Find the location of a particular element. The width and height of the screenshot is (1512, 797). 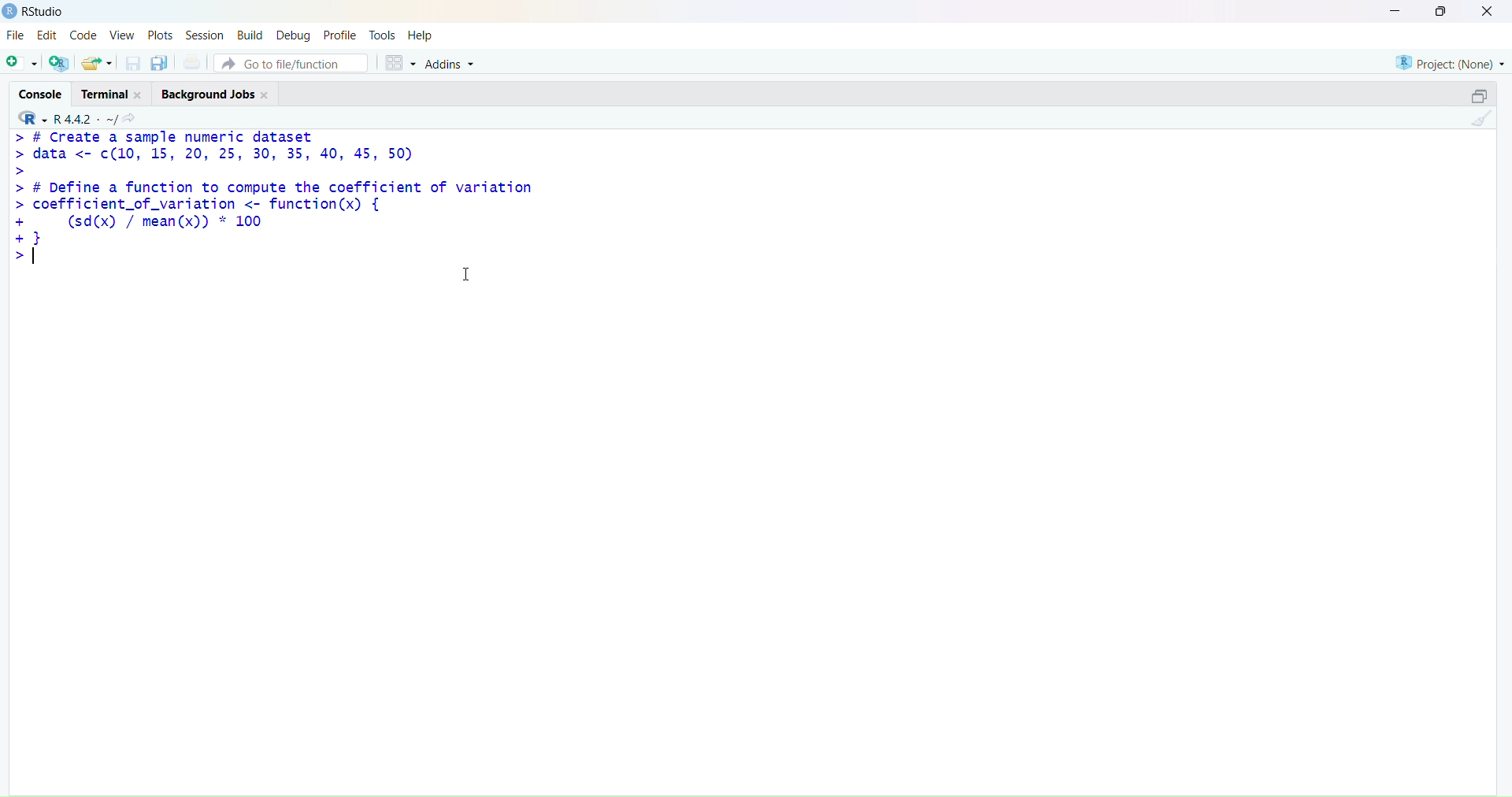

Close  is located at coordinates (266, 95).